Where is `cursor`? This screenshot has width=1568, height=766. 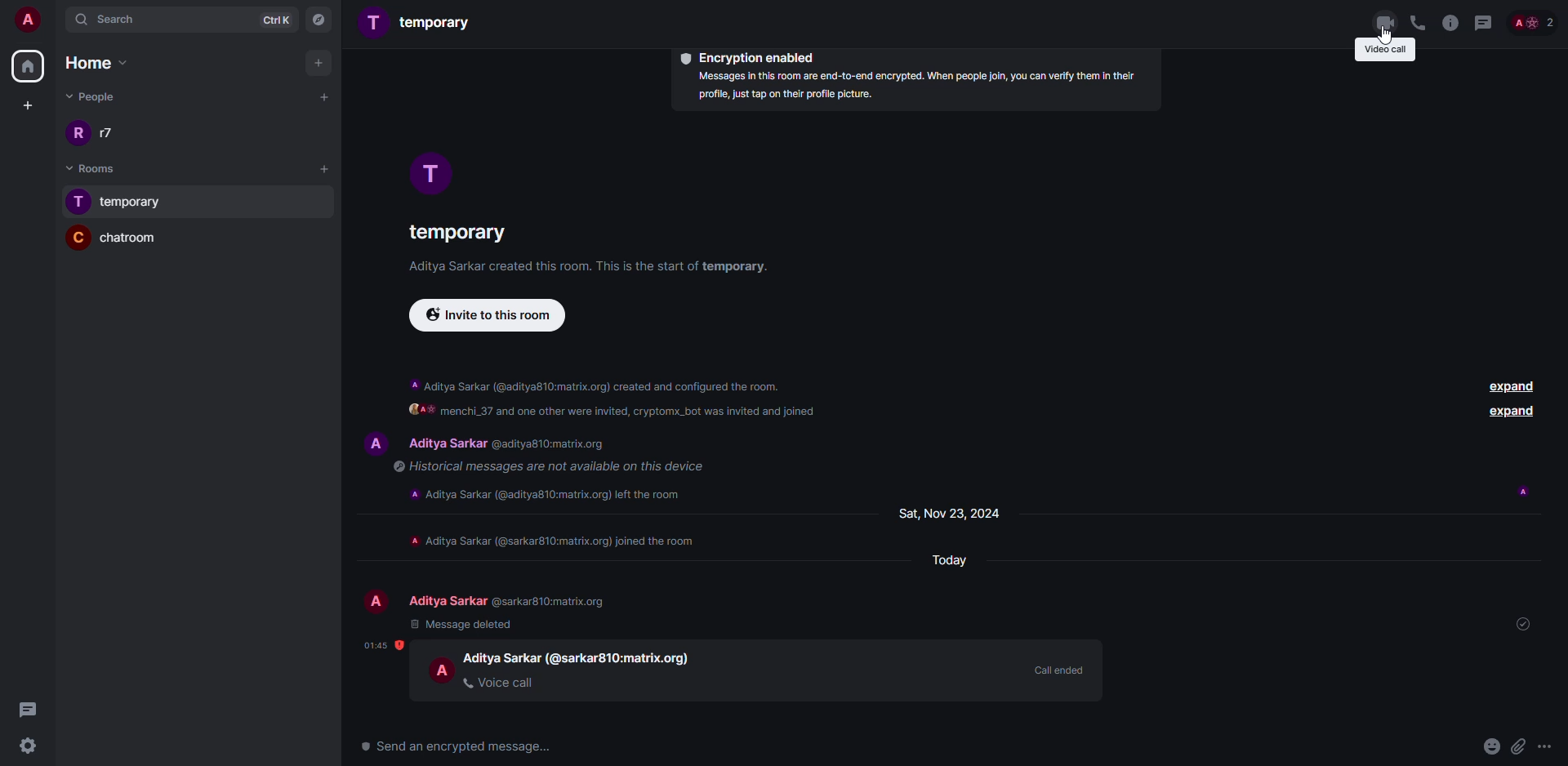
cursor is located at coordinates (1389, 34).